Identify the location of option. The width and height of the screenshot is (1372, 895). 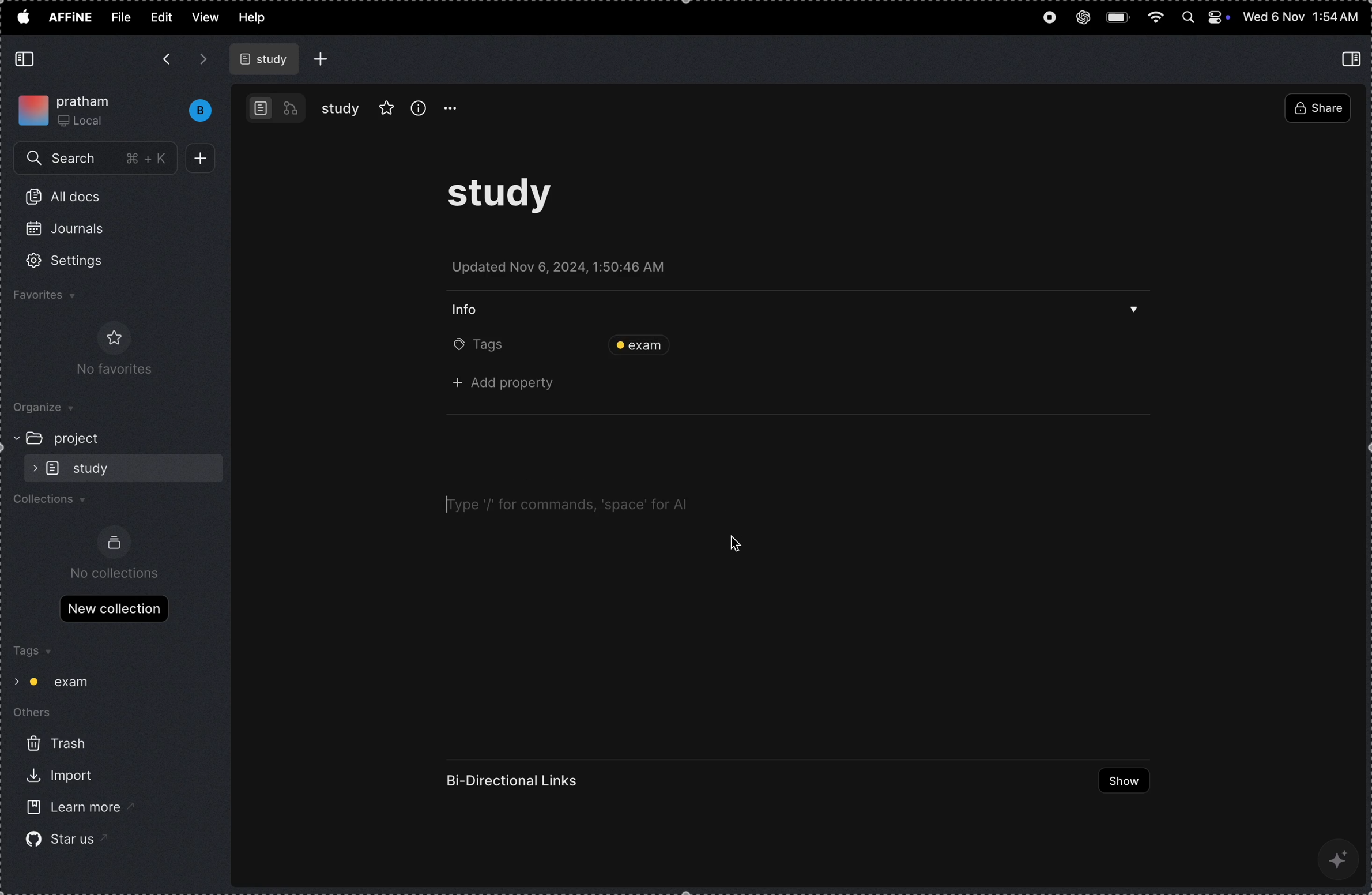
(457, 108).